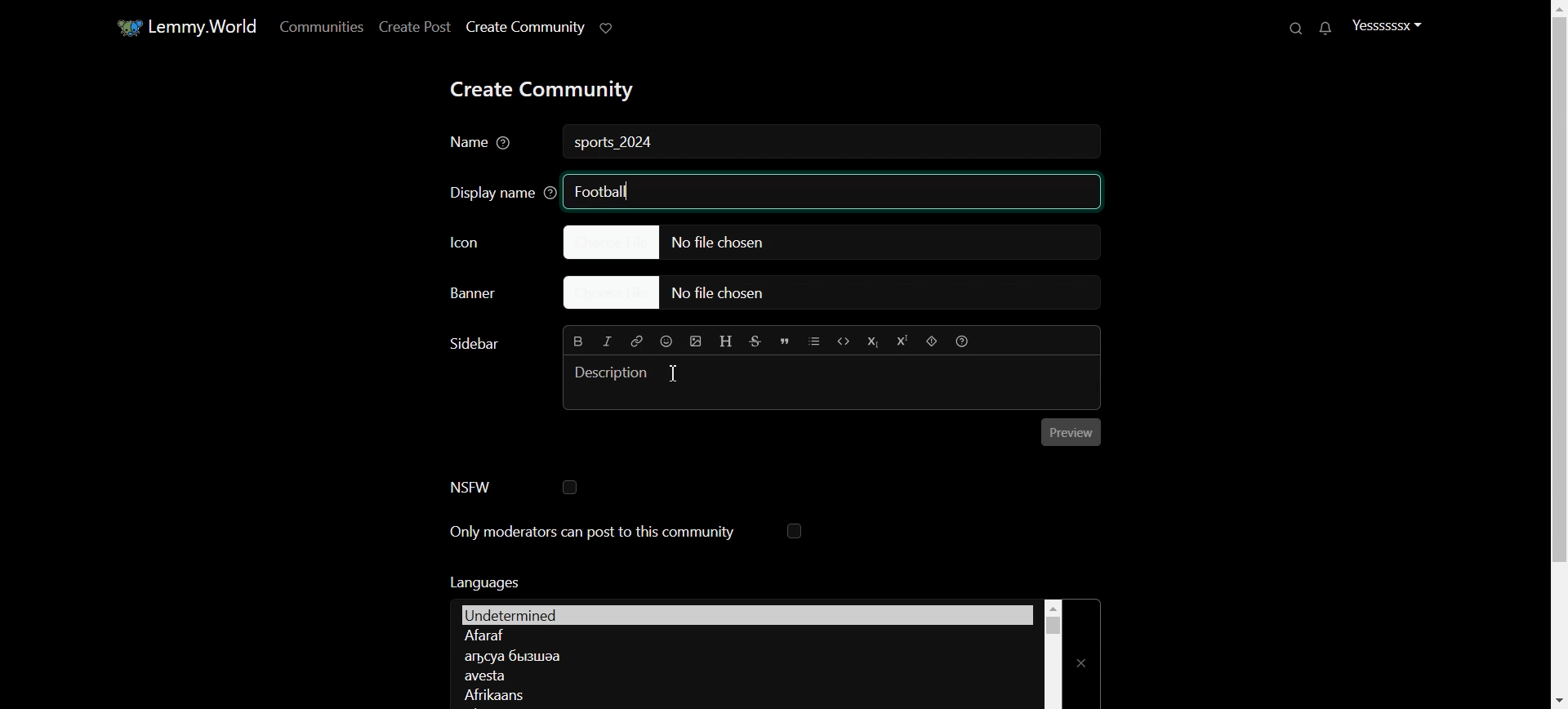  What do you see at coordinates (490, 241) in the screenshot?
I see `Icon ` at bounding box center [490, 241].